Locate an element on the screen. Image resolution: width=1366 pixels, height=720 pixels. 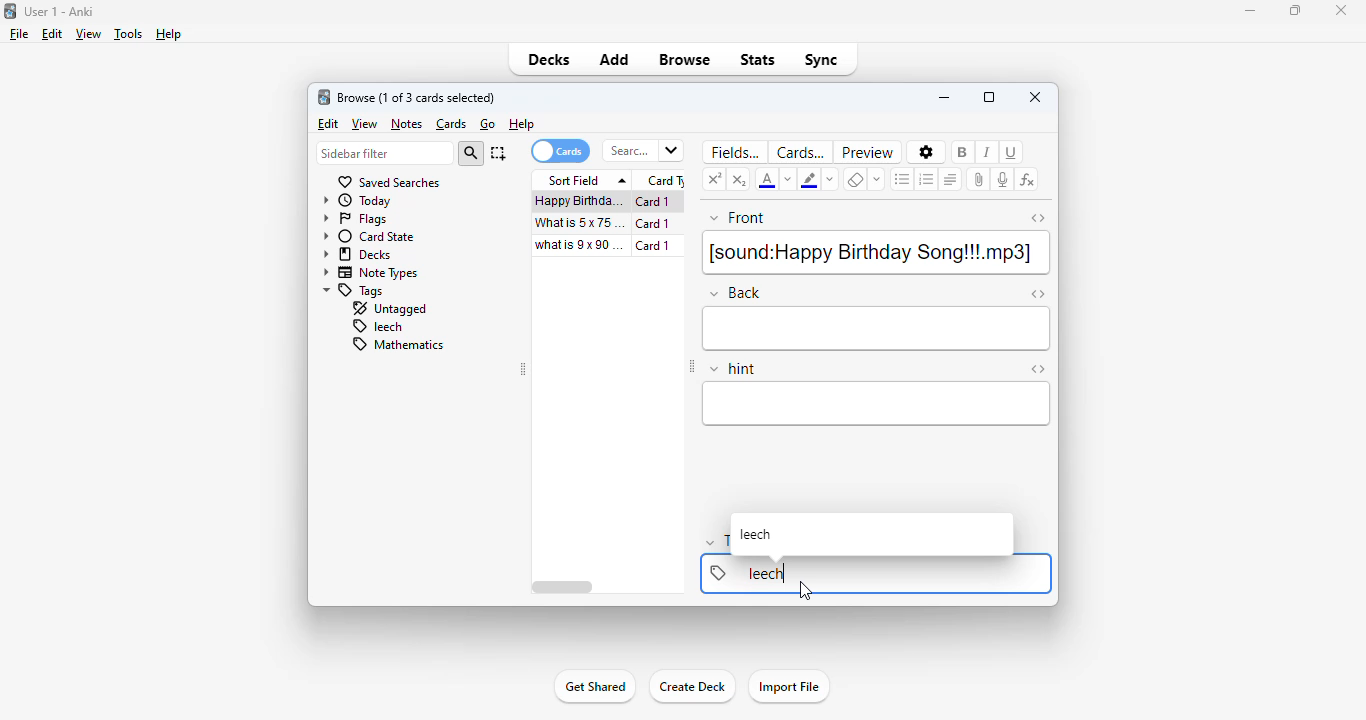
note types is located at coordinates (371, 274).